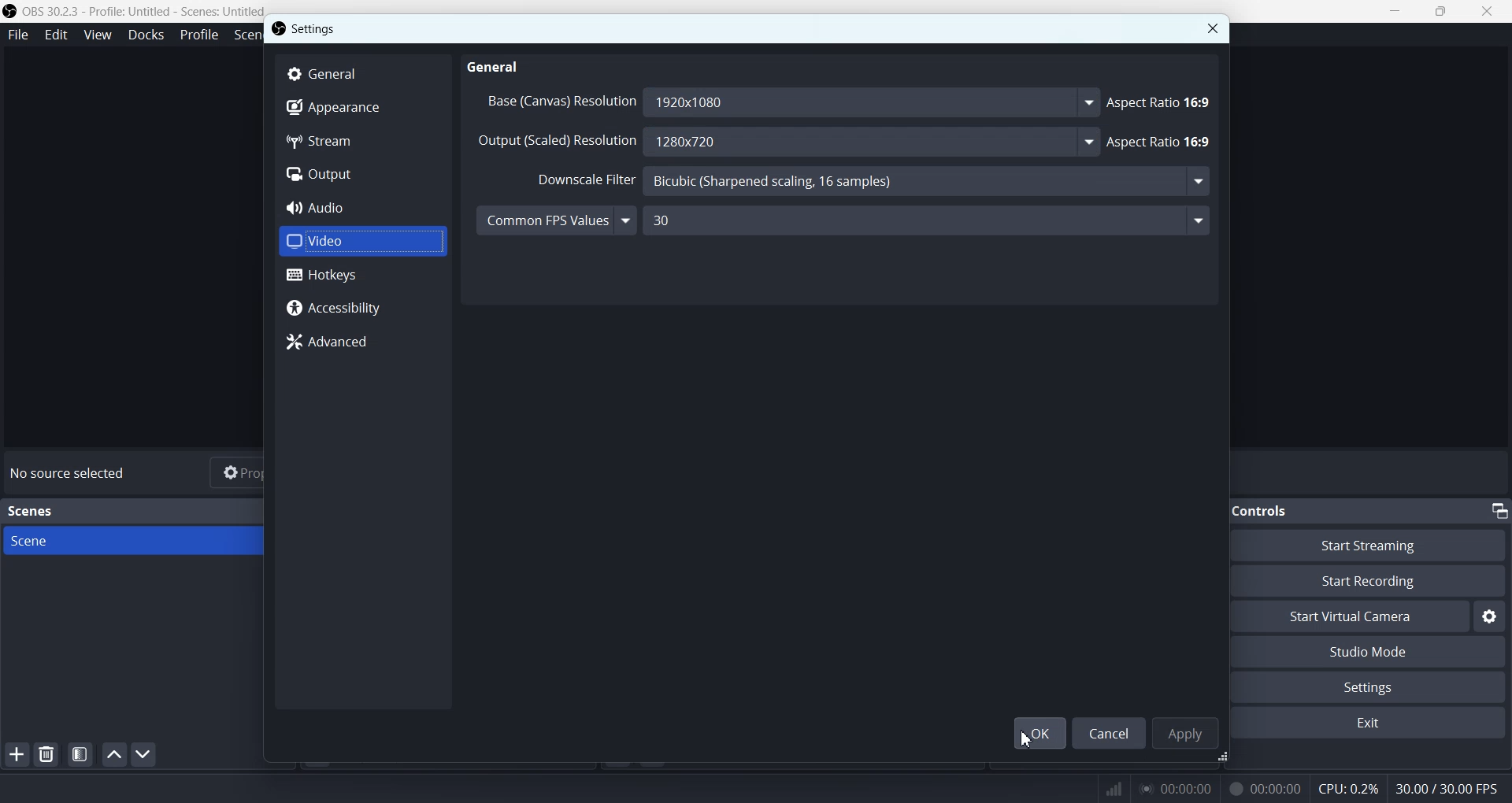 Image resolution: width=1512 pixels, height=803 pixels. I want to click on Stream, so click(362, 142).